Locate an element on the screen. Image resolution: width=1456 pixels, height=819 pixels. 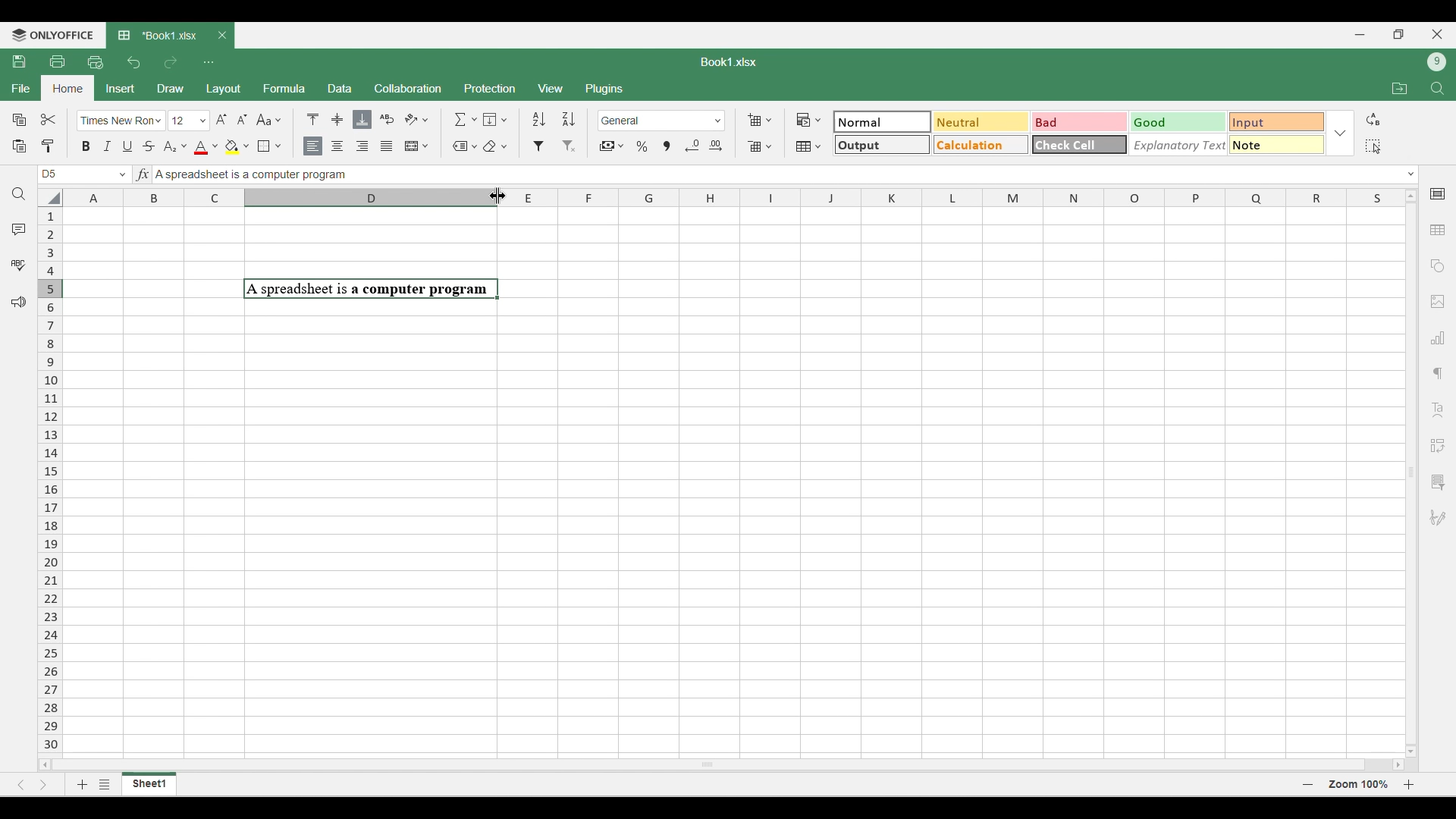
Horizontal slide bar is located at coordinates (722, 762).